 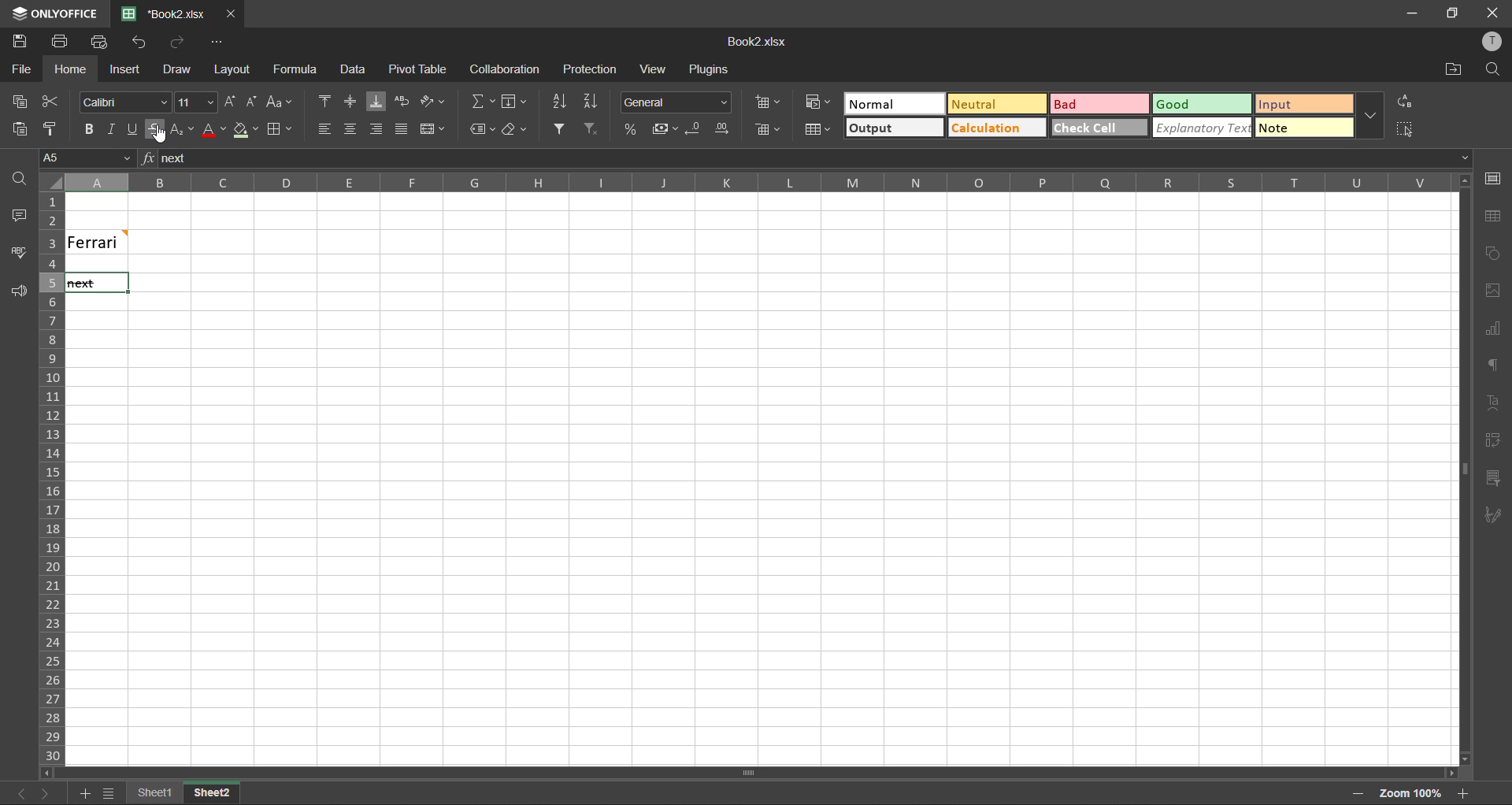 What do you see at coordinates (326, 128) in the screenshot?
I see `align left` at bounding box center [326, 128].